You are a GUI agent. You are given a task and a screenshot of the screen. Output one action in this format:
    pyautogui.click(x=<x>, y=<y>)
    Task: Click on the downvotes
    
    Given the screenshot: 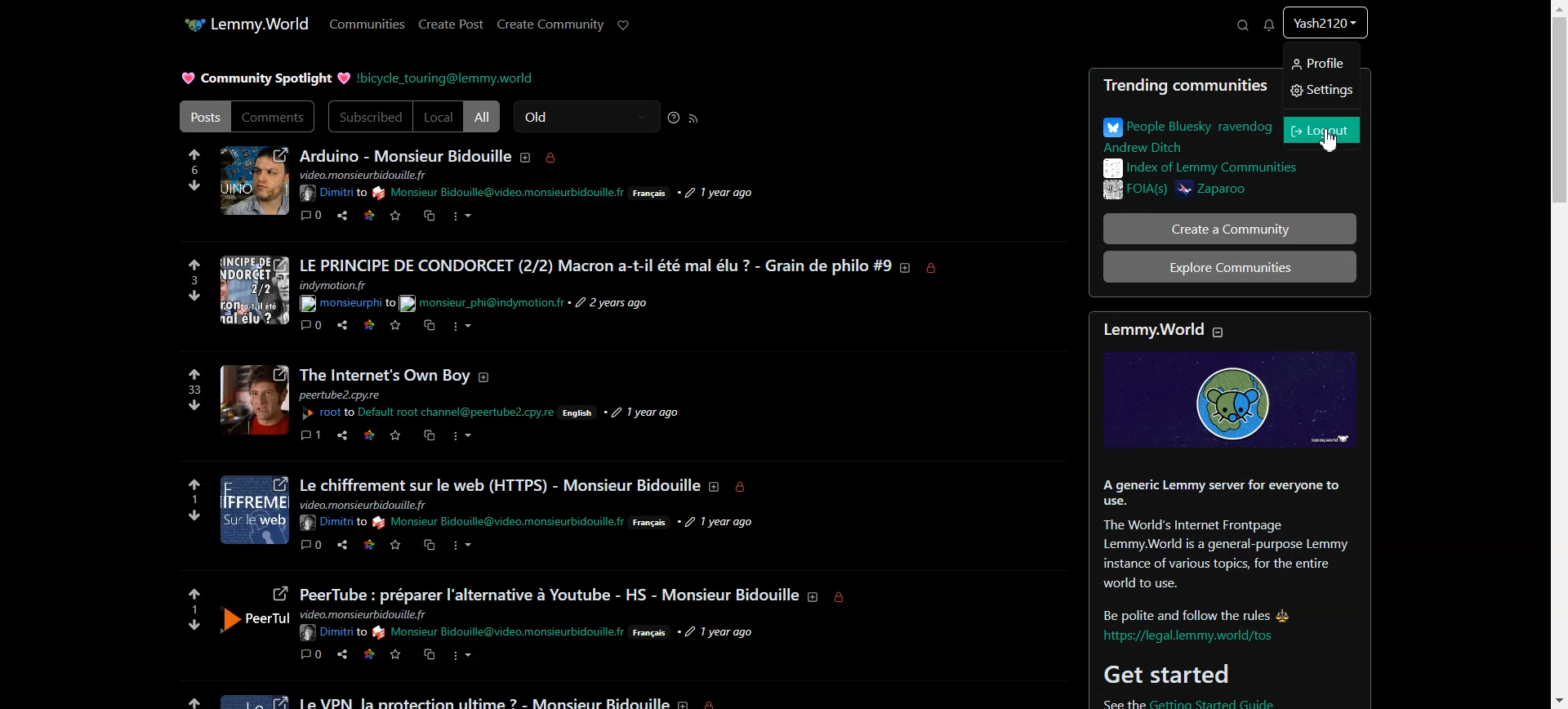 What is the action you would take?
    pyautogui.click(x=184, y=516)
    